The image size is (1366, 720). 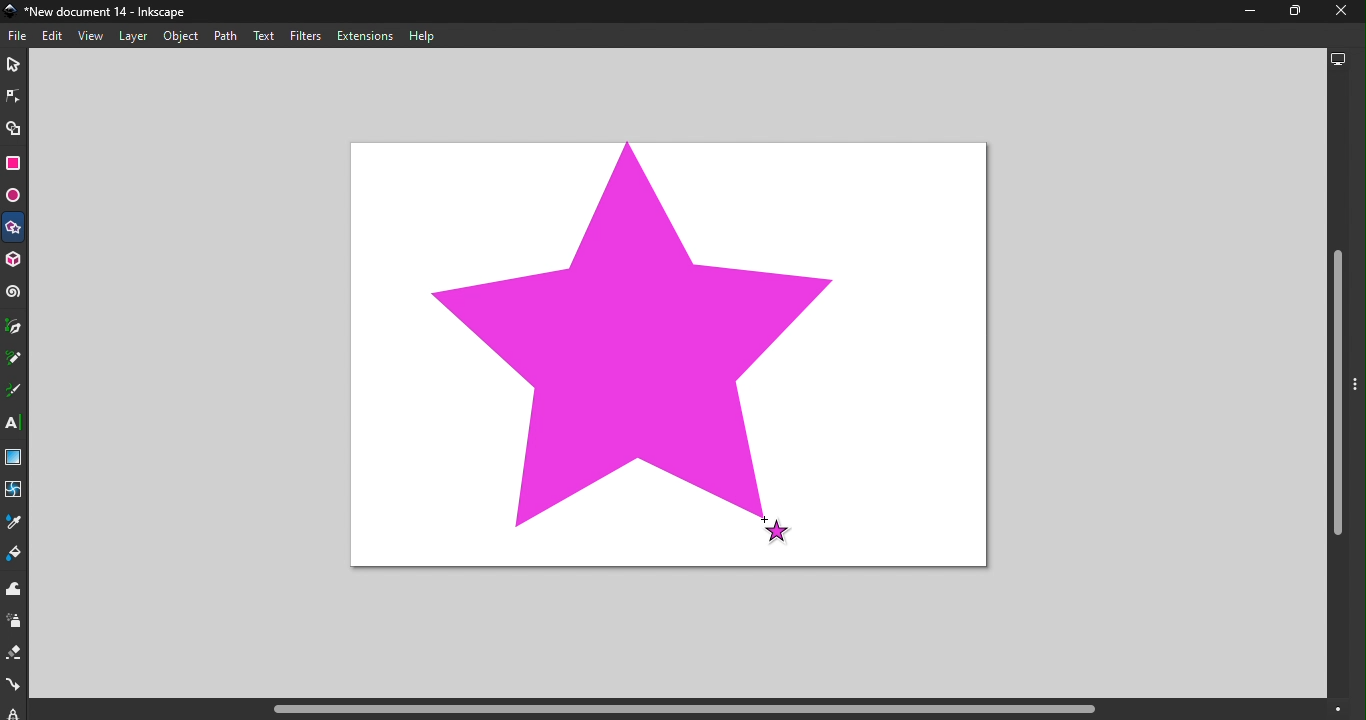 What do you see at coordinates (102, 13) in the screenshot?
I see `File name` at bounding box center [102, 13].